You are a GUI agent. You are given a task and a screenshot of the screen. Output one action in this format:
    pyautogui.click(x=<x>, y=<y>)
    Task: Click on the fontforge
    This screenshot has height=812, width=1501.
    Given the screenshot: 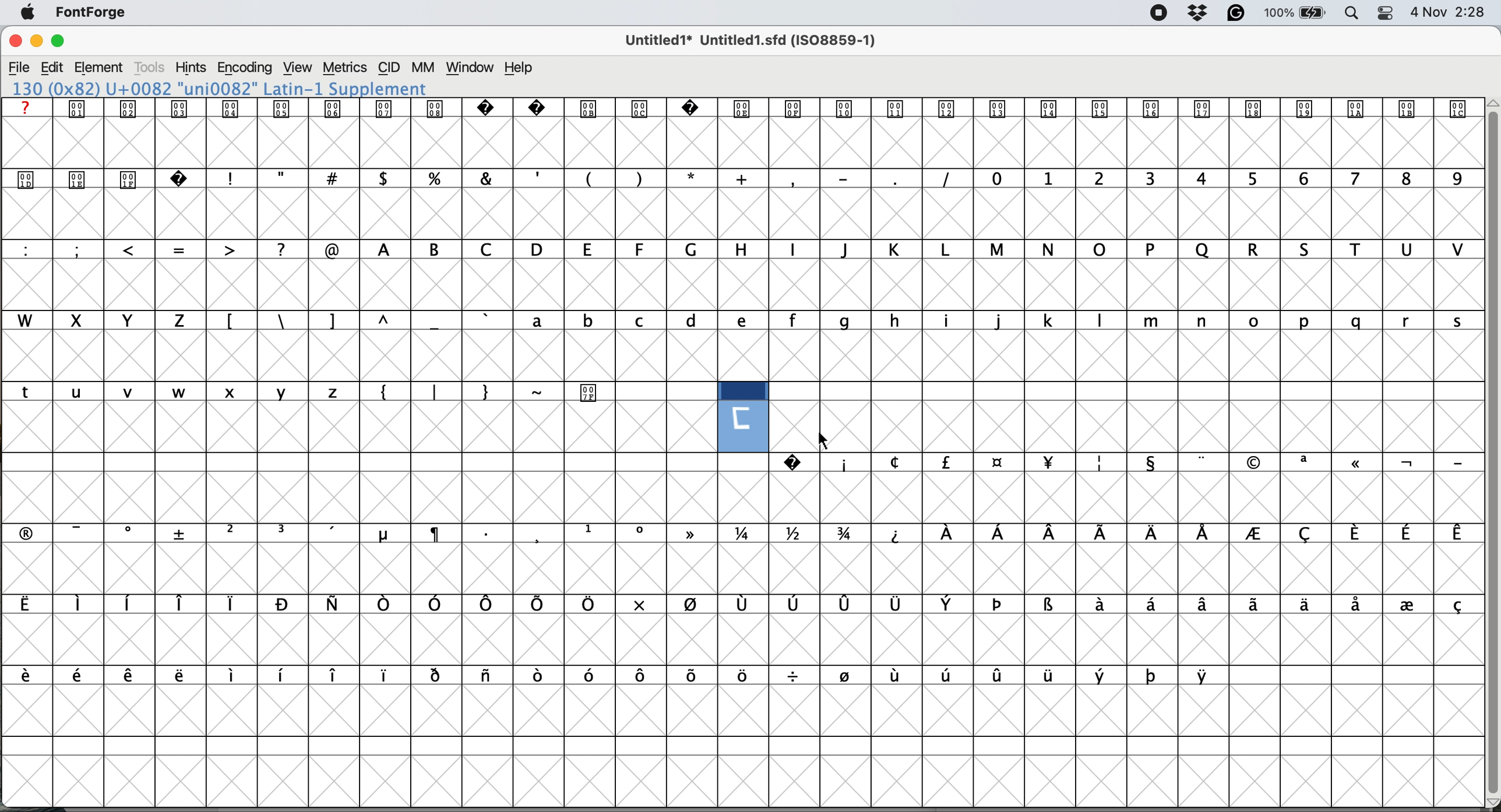 What is the action you would take?
    pyautogui.click(x=92, y=12)
    